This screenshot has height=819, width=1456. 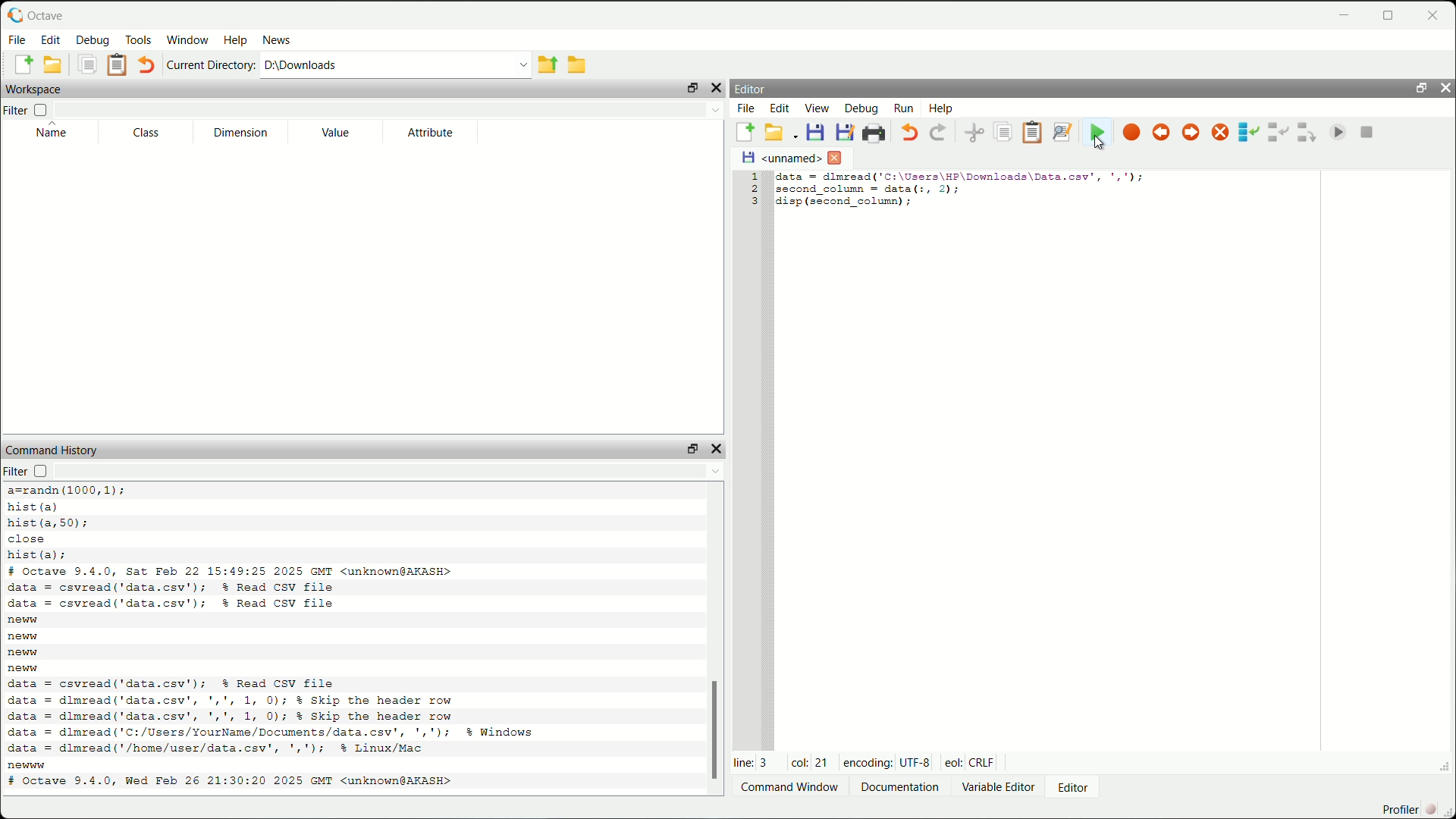 What do you see at coordinates (49, 447) in the screenshot?
I see `command history` at bounding box center [49, 447].